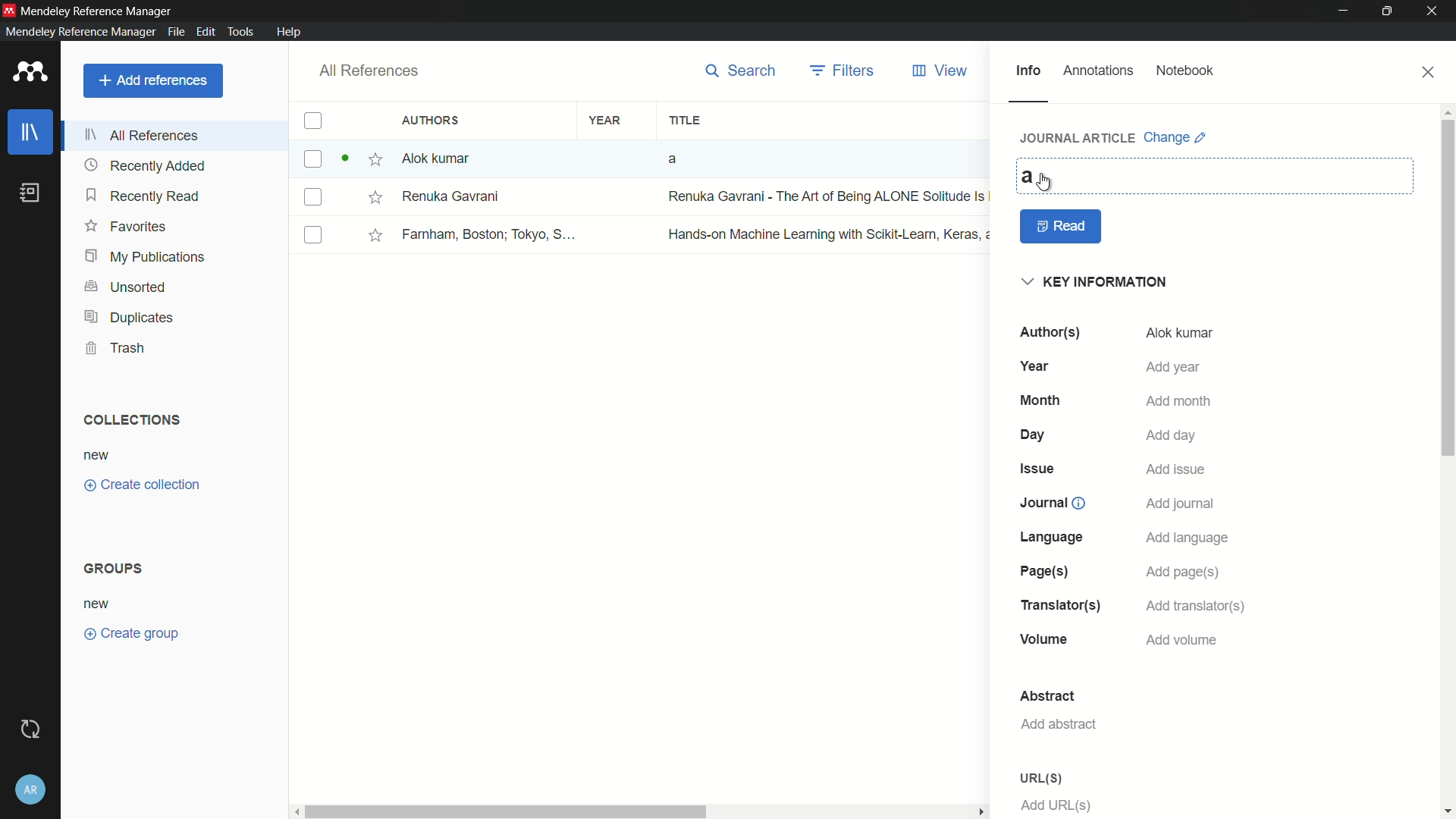 This screenshot has height=819, width=1456. I want to click on translations, so click(1059, 605).